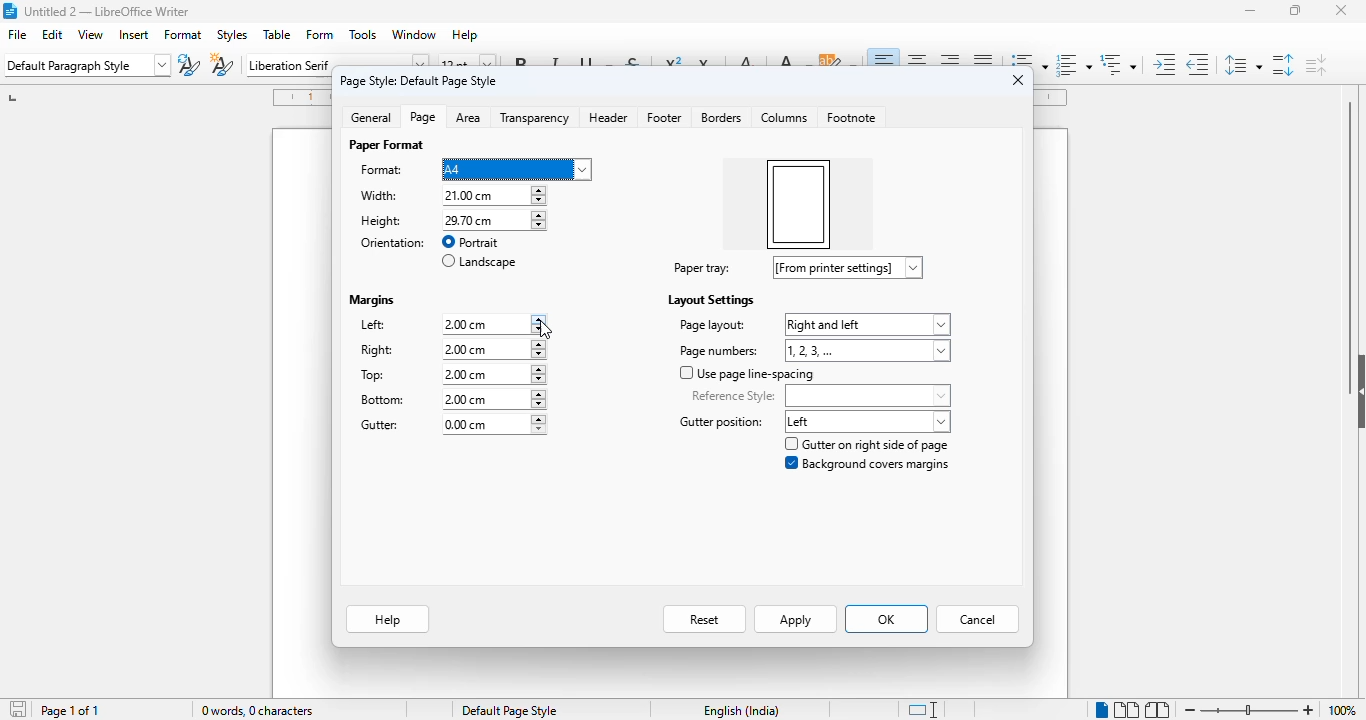  What do you see at coordinates (386, 195) in the screenshot?
I see `width` at bounding box center [386, 195].